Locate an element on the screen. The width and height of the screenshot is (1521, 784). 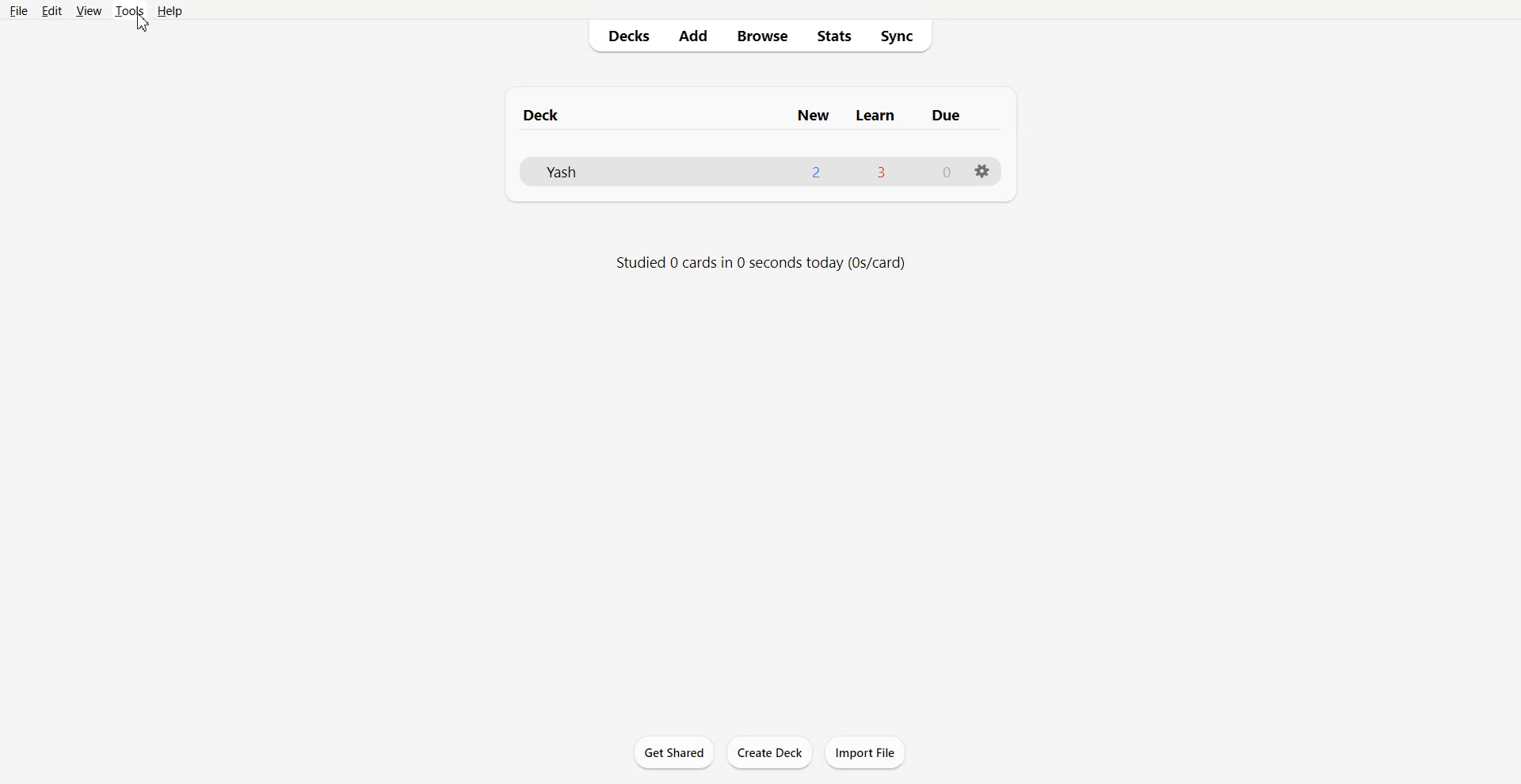
Decks is located at coordinates (622, 36).